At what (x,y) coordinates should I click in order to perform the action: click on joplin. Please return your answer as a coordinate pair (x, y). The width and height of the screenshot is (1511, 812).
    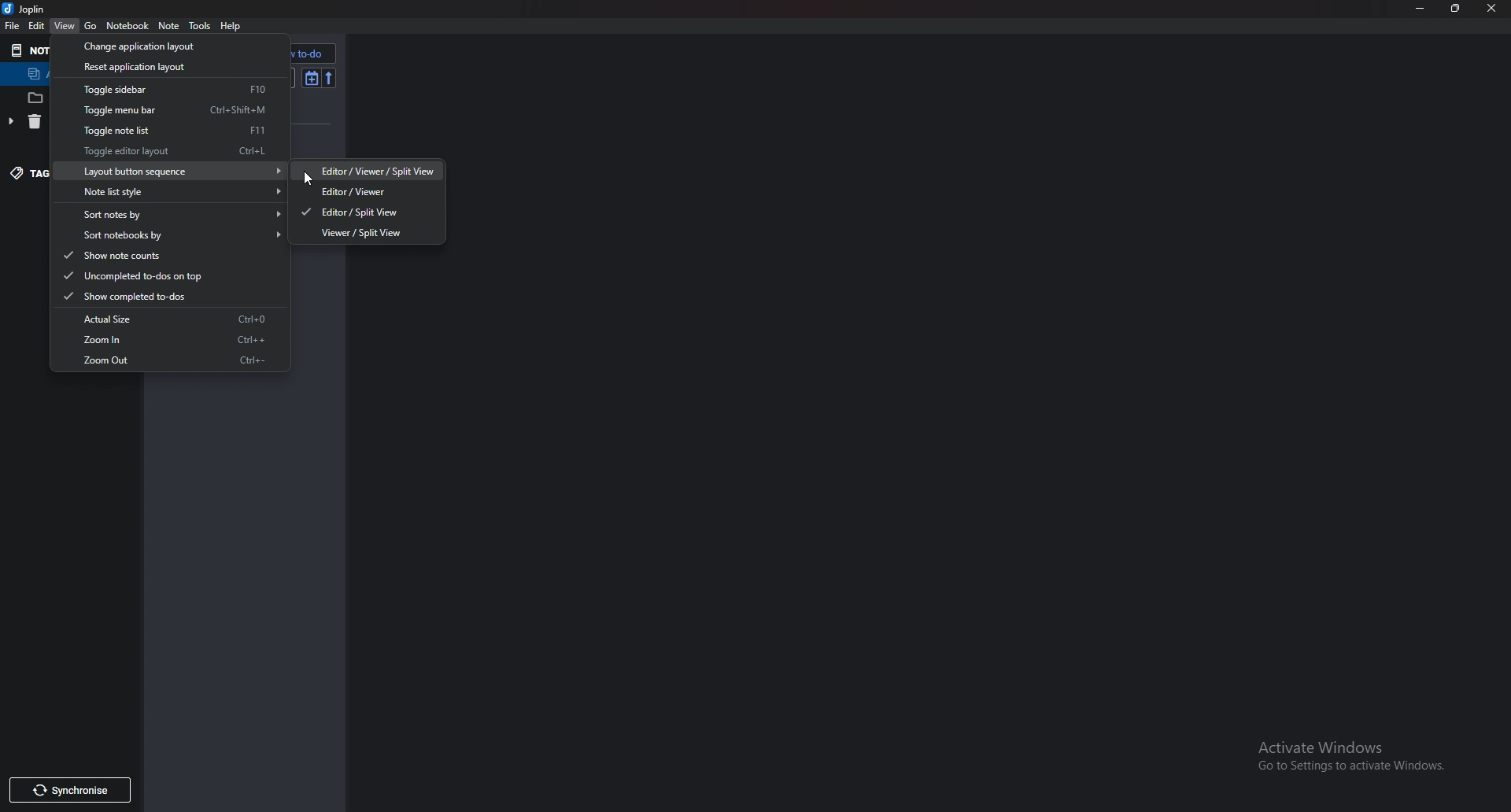
    Looking at the image, I should click on (28, 9).